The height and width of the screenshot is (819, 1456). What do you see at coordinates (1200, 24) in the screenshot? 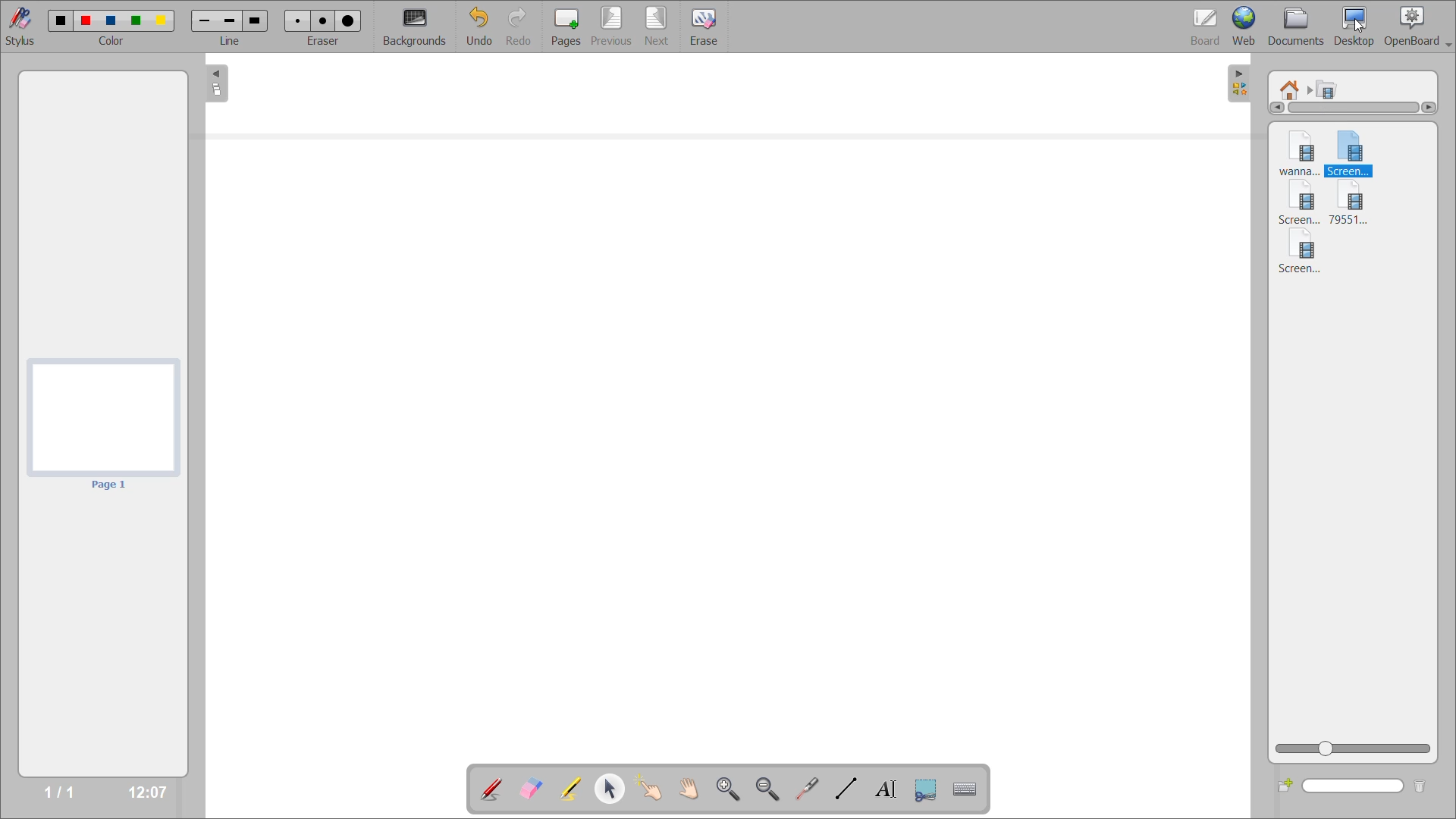
I see `board` at bounding box center [1200, 24].